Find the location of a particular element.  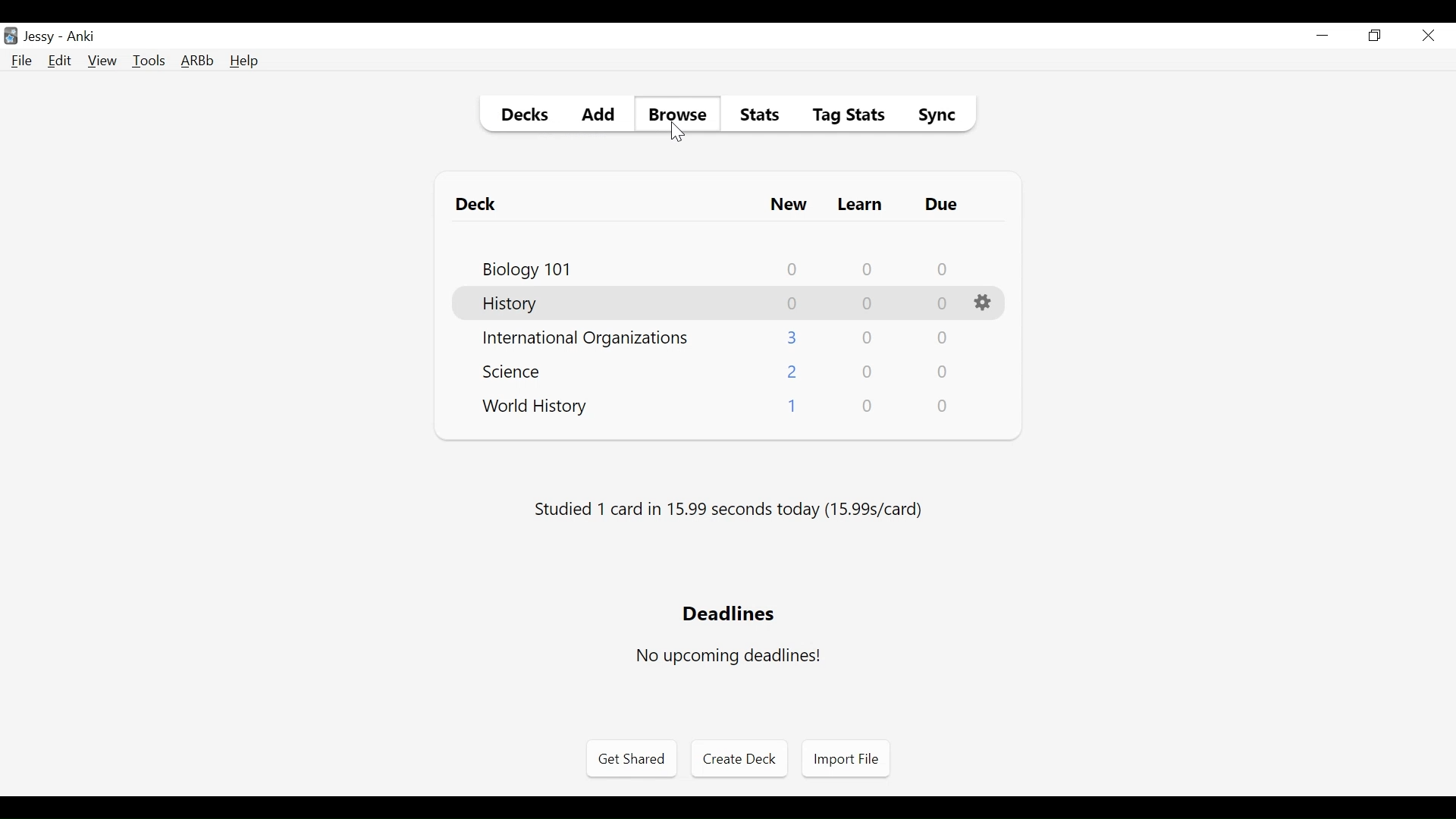

Deck Name is located at coordinates (521, 270).